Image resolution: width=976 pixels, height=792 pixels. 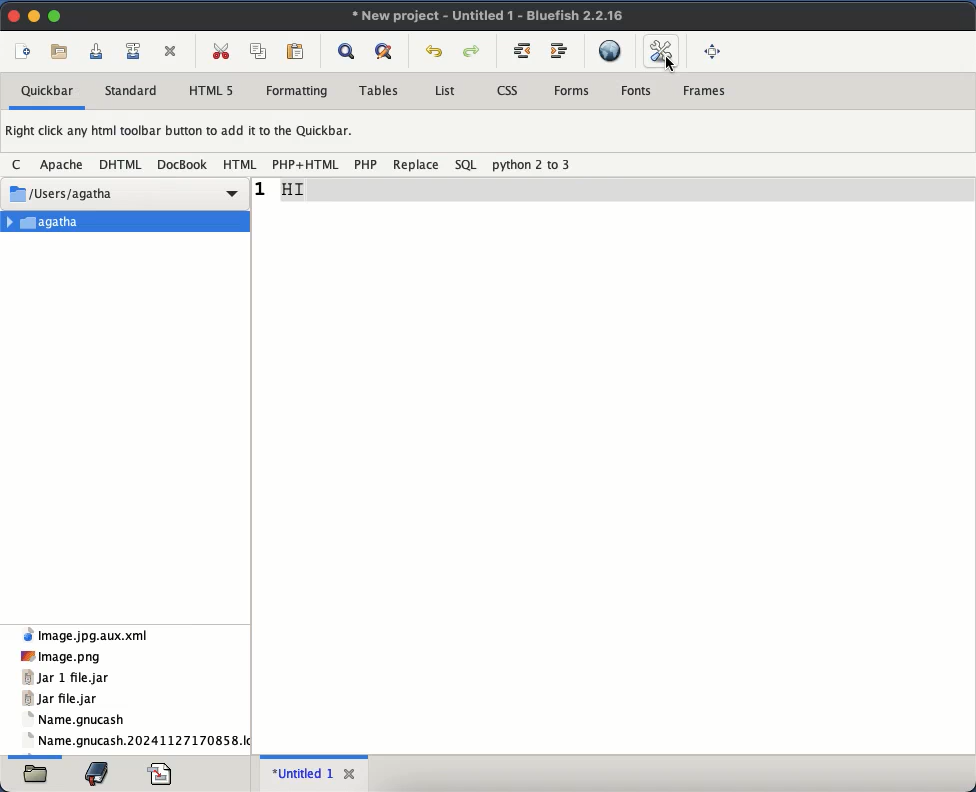 What do you see at coordinates (559, 54) in the screenshot?
I see `indent` at bounding box center [559, 54].